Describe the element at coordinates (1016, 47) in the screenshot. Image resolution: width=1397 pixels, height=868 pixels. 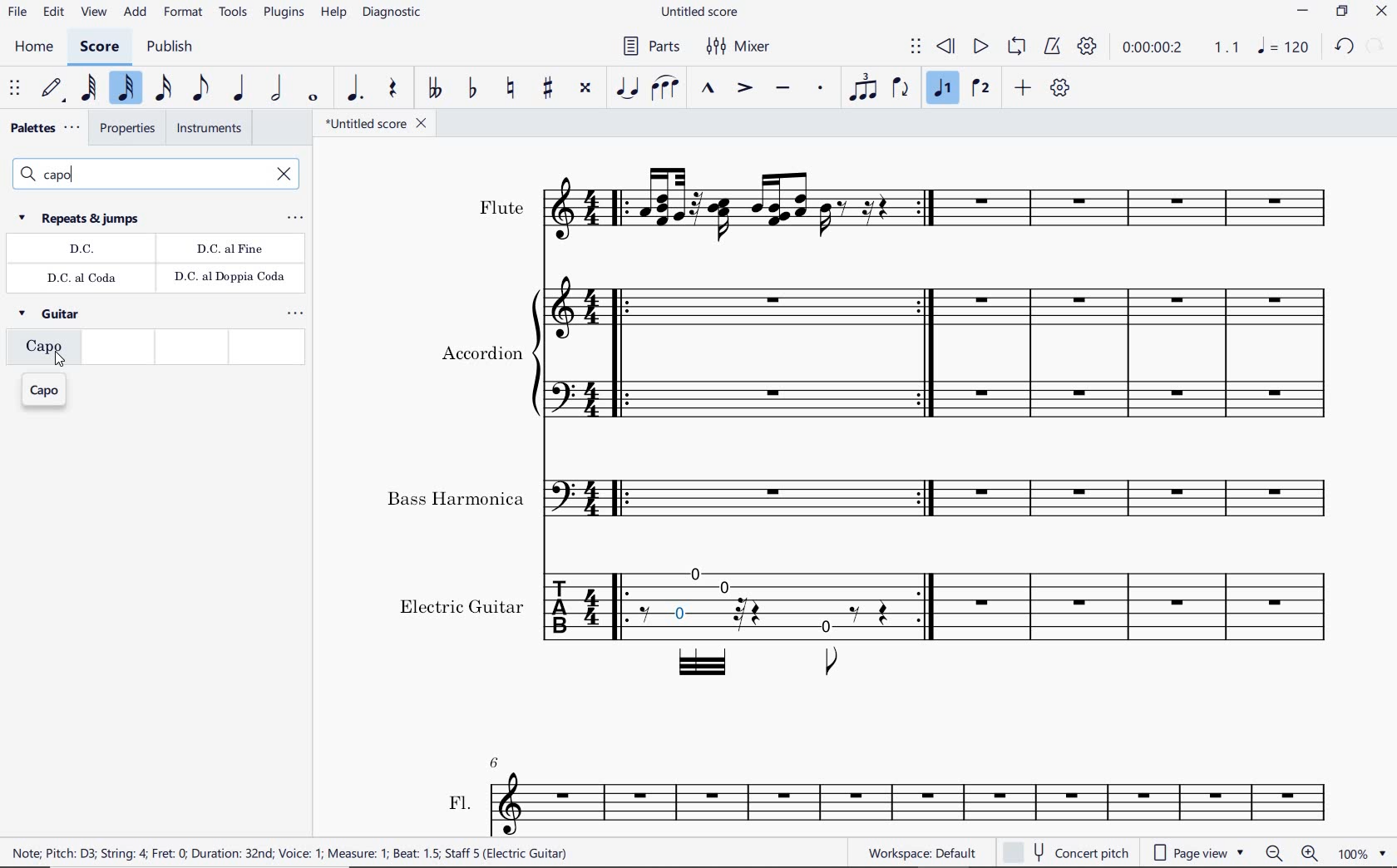
I see `loop playback` at that location.